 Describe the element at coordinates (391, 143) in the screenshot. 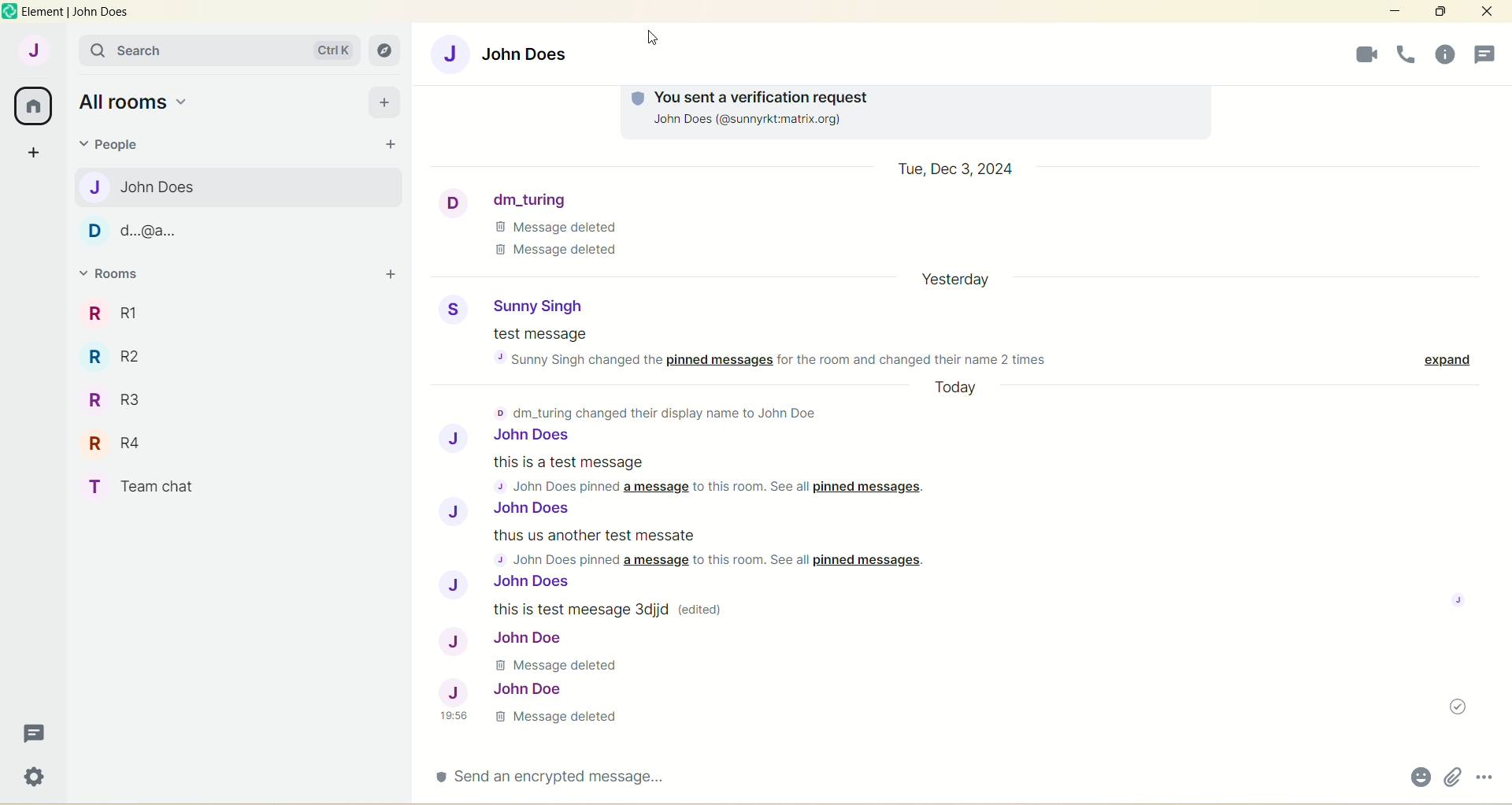

I see `start chat` at that location.